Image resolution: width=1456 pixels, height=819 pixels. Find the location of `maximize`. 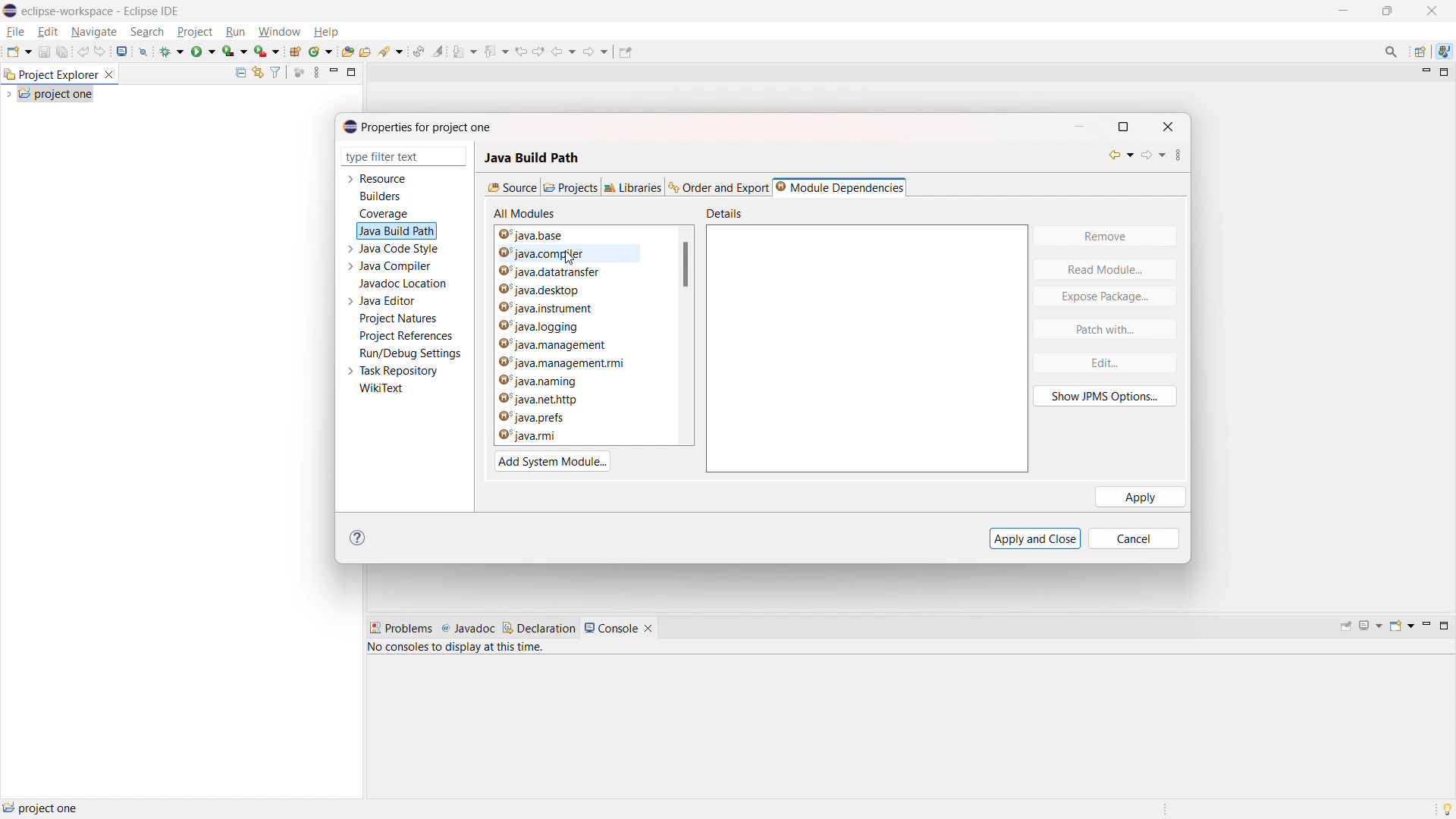

maximize is located at coordinates (352, 71).